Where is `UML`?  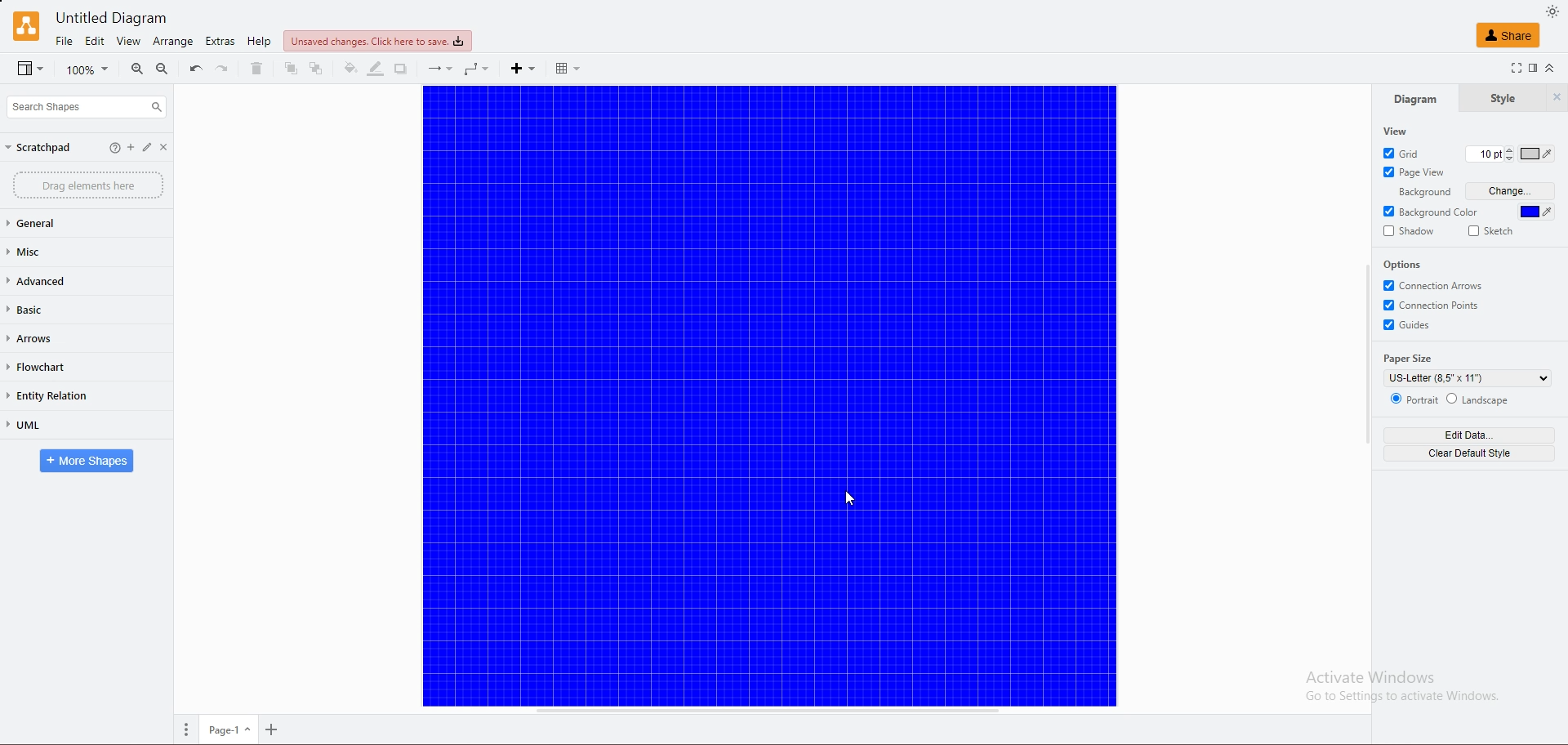 UML is located at coordinates (66, 426).